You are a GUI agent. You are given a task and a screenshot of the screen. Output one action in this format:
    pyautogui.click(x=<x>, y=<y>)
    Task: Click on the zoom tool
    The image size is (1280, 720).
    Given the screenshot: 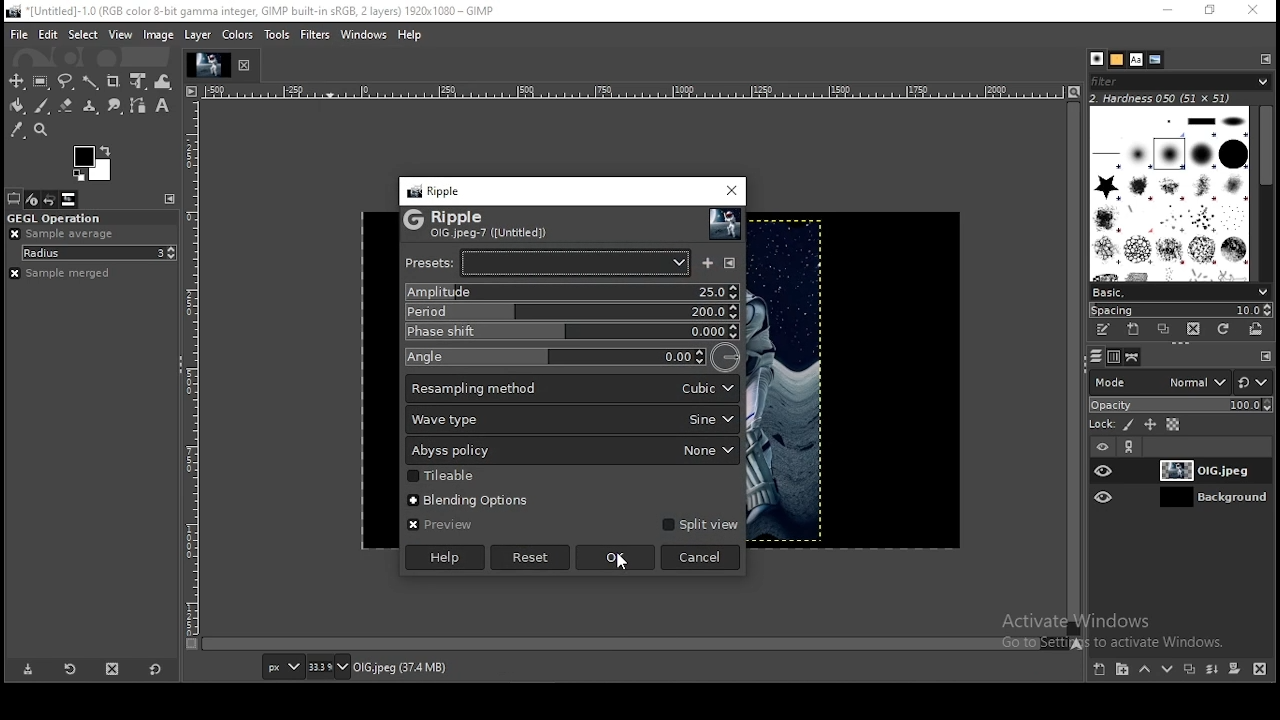 What is the action you would take?
    pyautogui.click(x=41, y=130)
    